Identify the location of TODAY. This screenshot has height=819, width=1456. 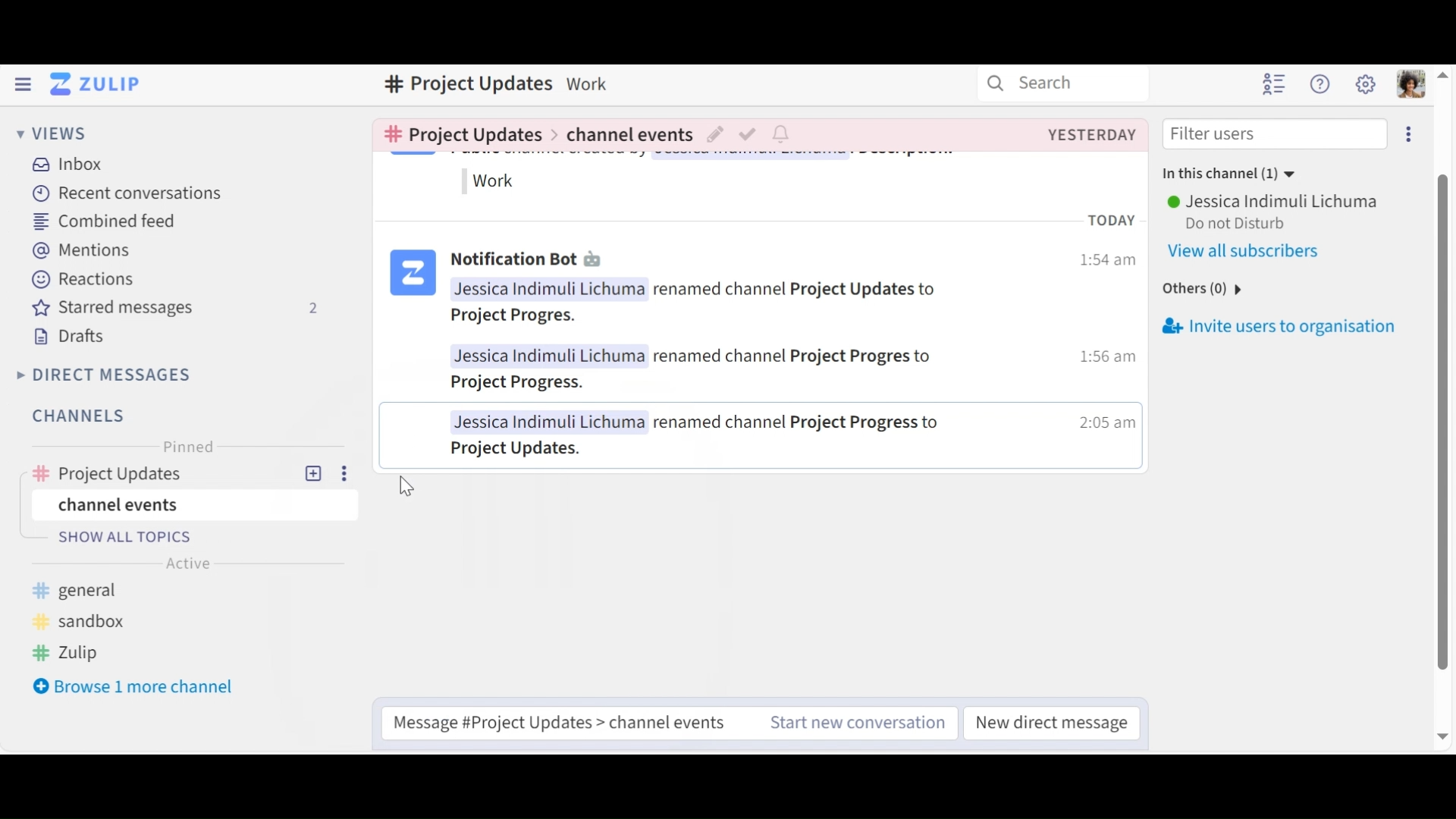
(1117, 223).